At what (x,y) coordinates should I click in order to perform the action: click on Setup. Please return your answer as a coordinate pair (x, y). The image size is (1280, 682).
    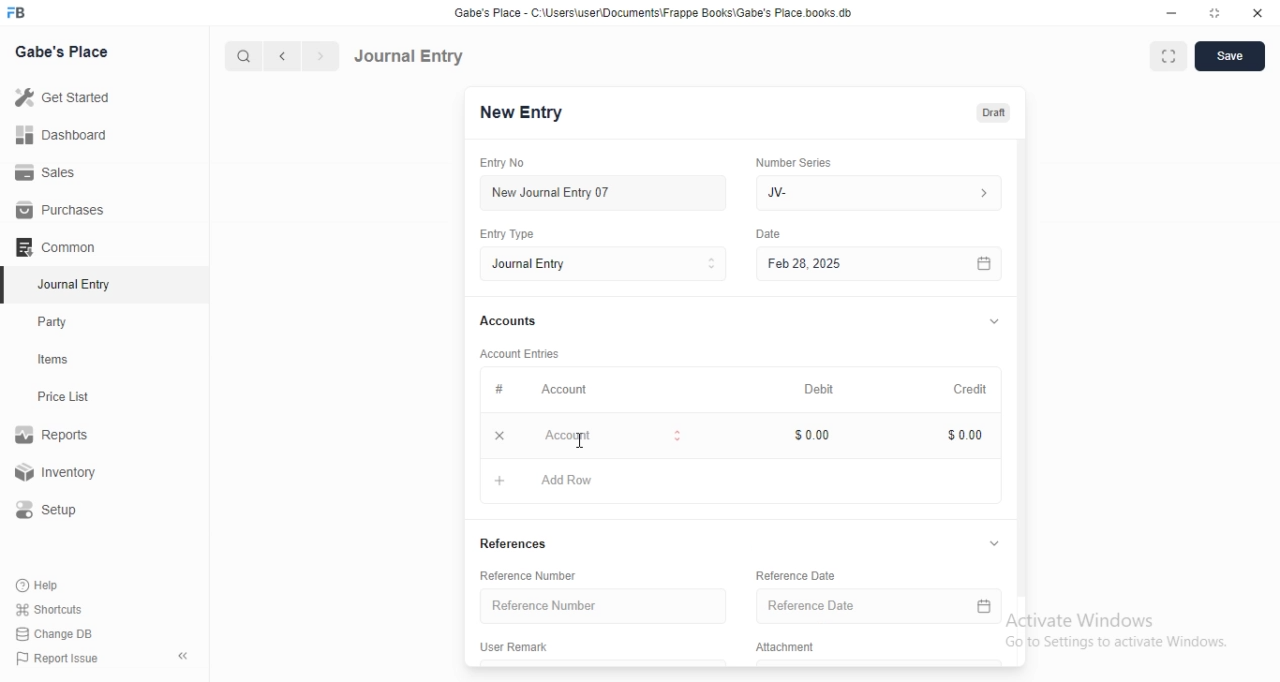
    Looking at the image, I should click on (54, 510).